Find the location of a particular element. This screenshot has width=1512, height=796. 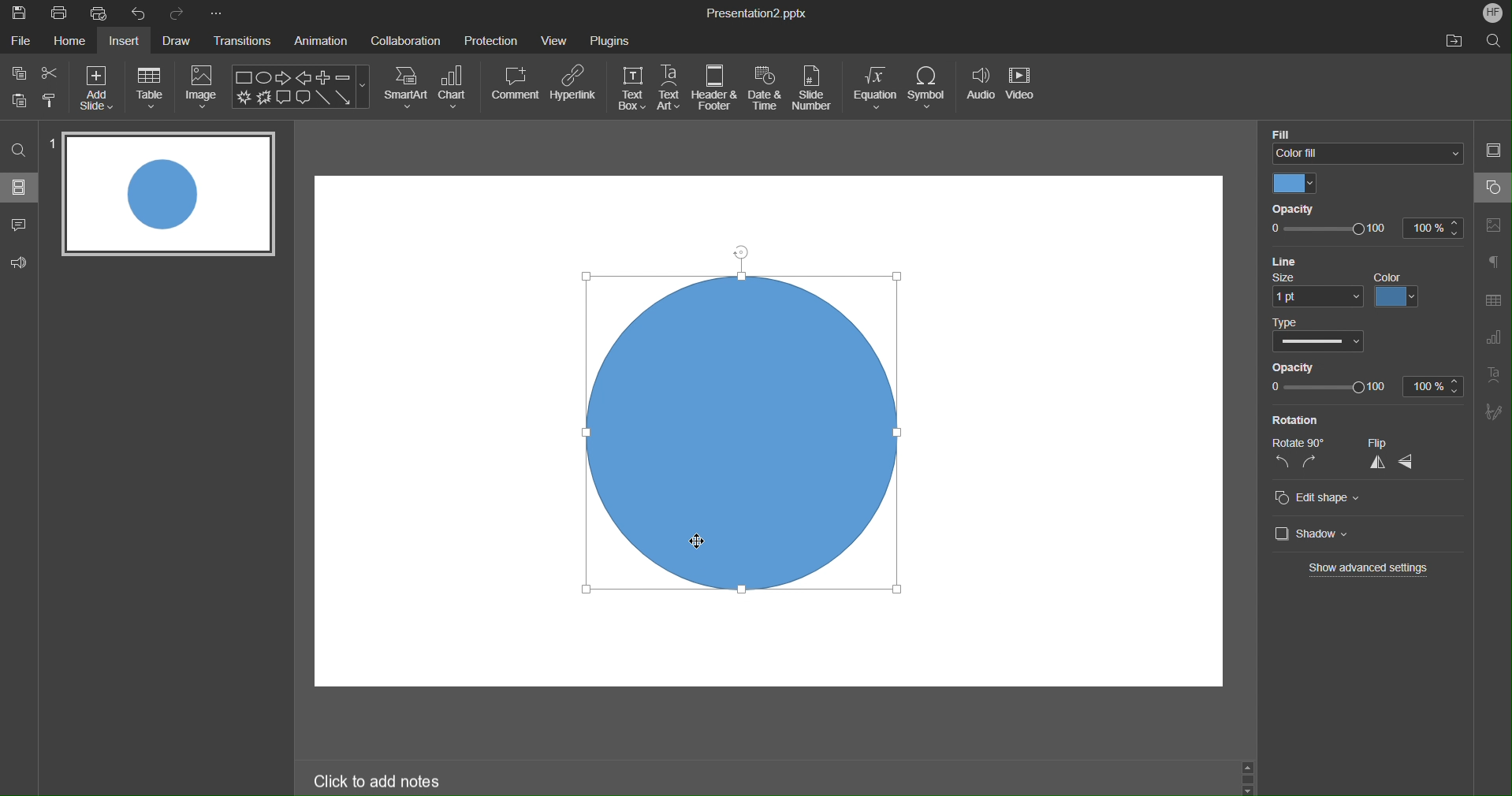

left is located at coordinates (1281, 464).